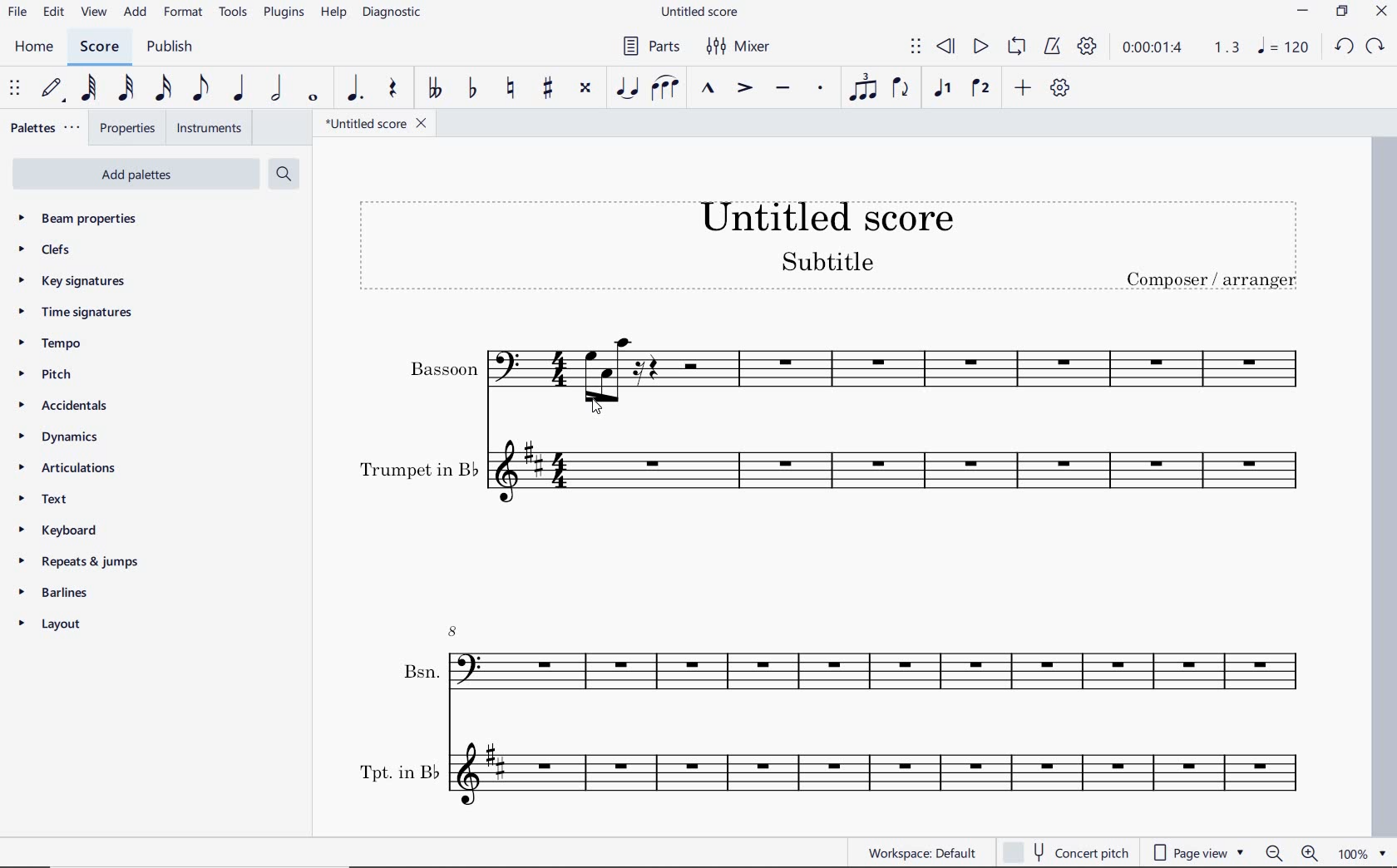 This screenshot has width=1397, height=868. What do you see at coordinates (1303, 12) in the screenshot?
I see `MINIMIZE` at bounding box center [1303, 12].